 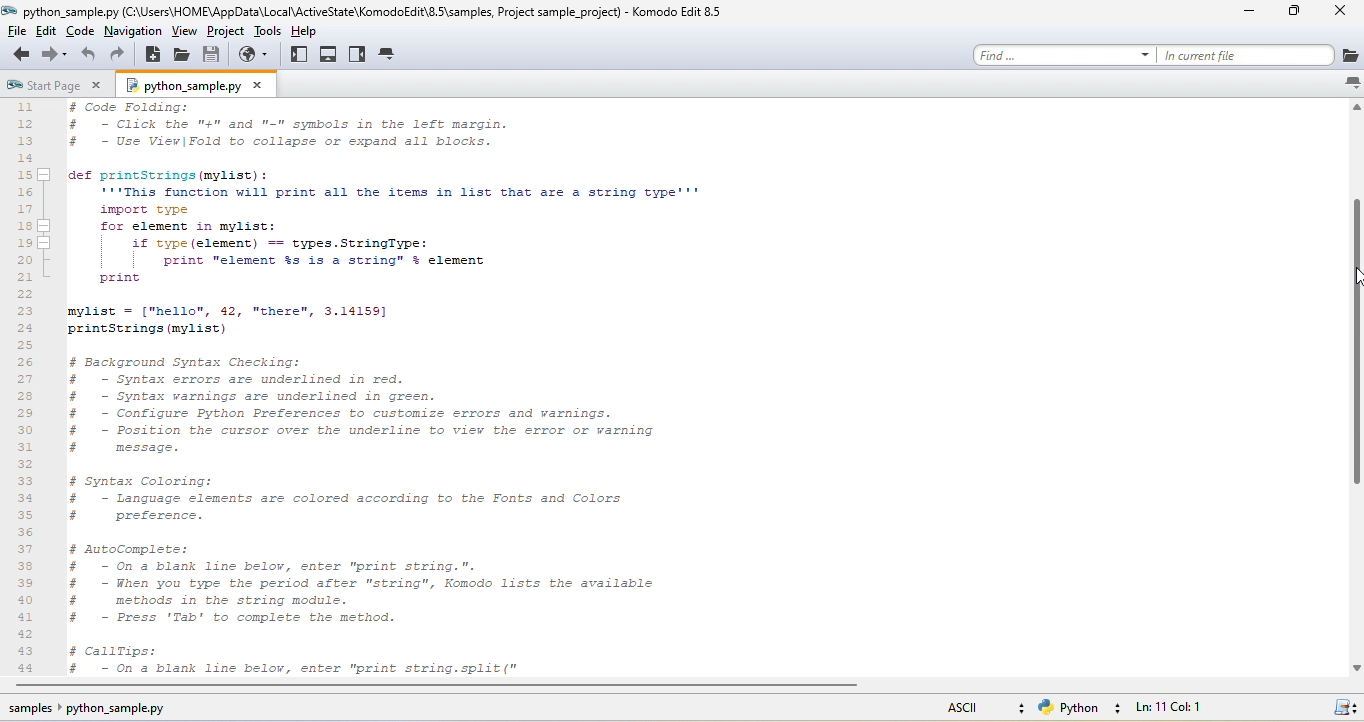 I want to click on open, so click(x=184, y=56).